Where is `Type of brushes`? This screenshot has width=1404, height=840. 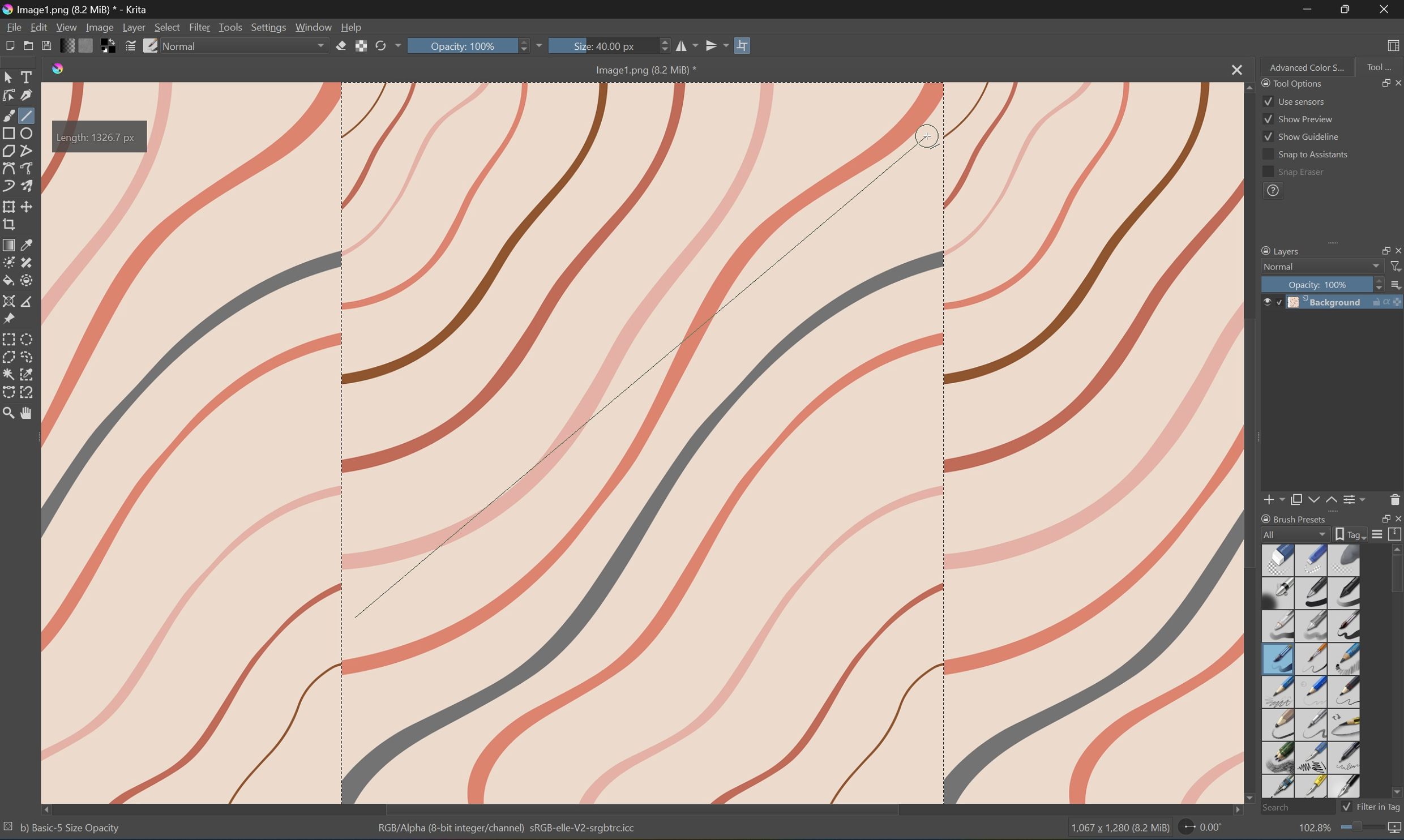 Type of brushes is located at coordinates (1310, 670).